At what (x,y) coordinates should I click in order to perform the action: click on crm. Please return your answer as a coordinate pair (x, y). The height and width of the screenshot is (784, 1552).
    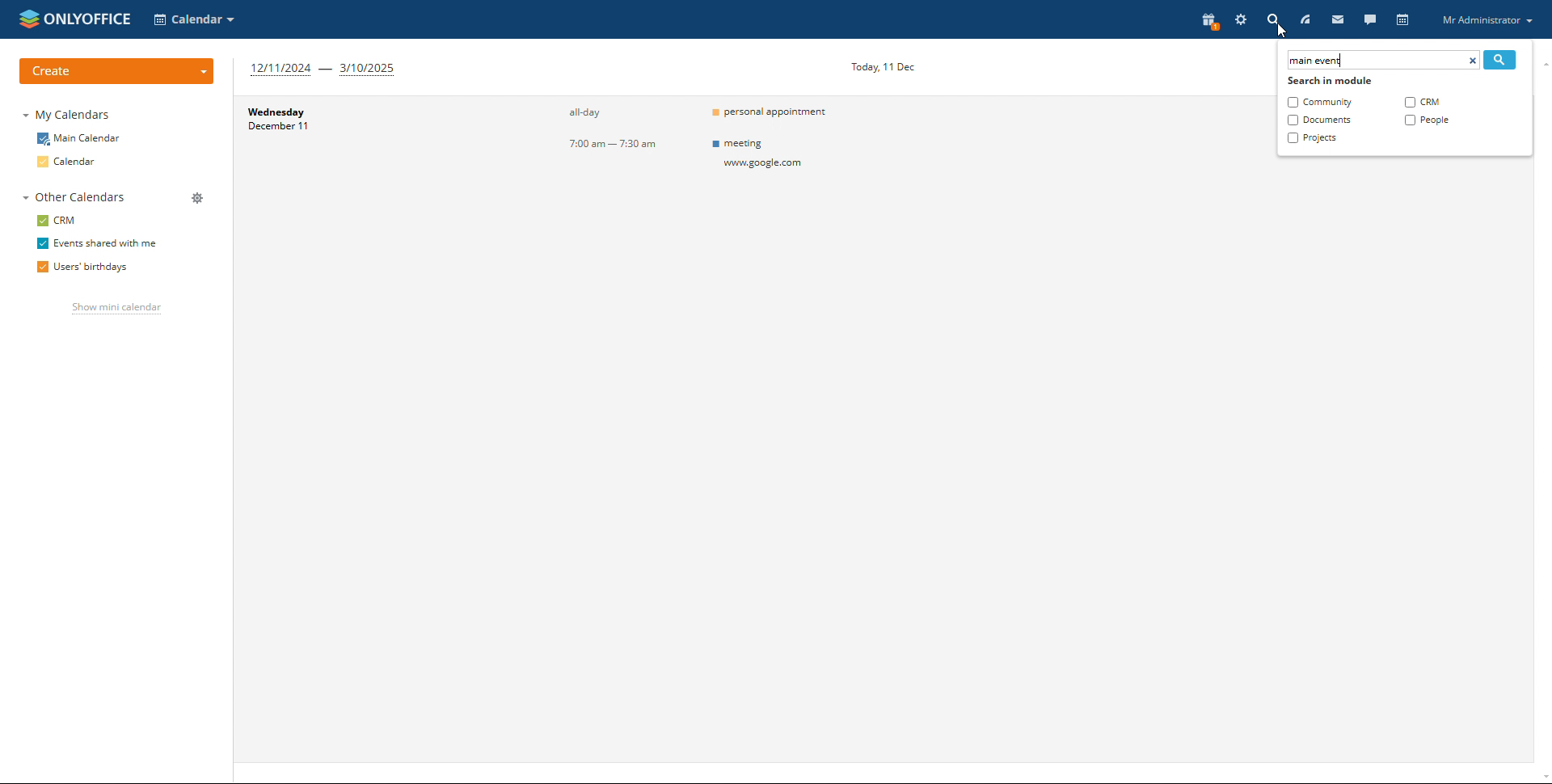
    Looking at the image, I should click on (1421, 103).